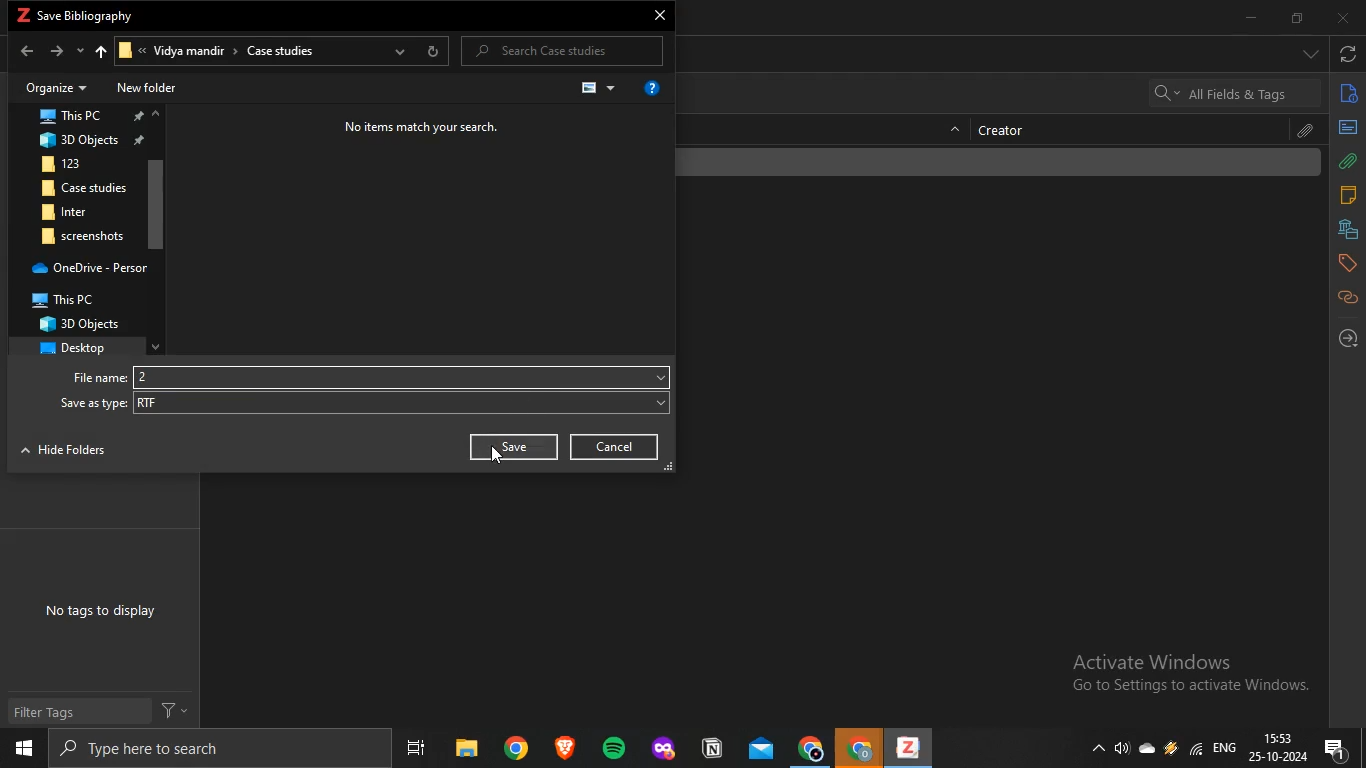 The image size is (1366, 768). What do you see at coordinates (102, 612) in the screenshot?
I see `No tags to display` at bounding box center [102, 612].